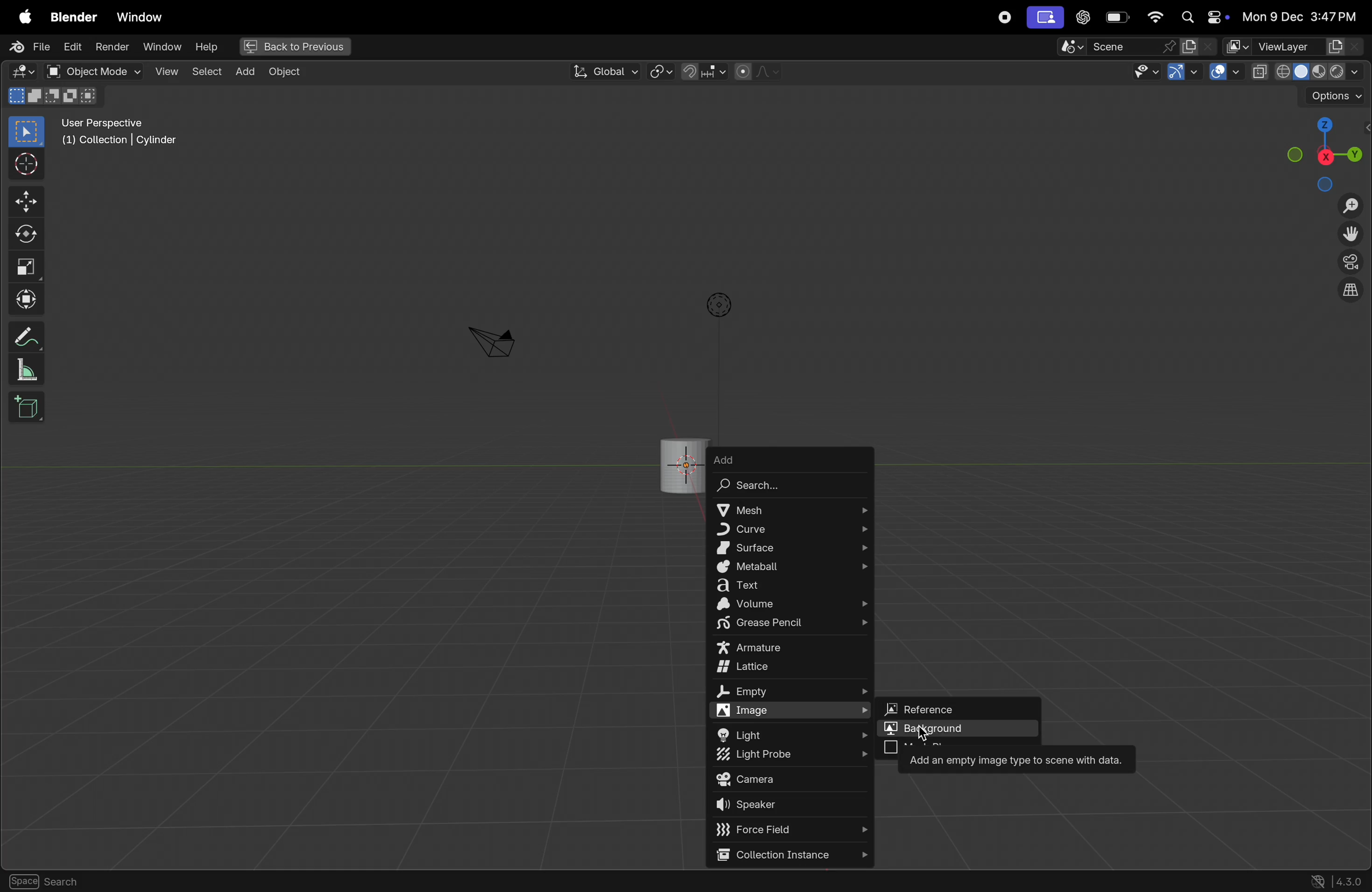 The image size is (1372, 892). What do you see at coordinates (1083, 18) in the screenshot?
I see `chatgpt` at bounding box center [1083, 18].